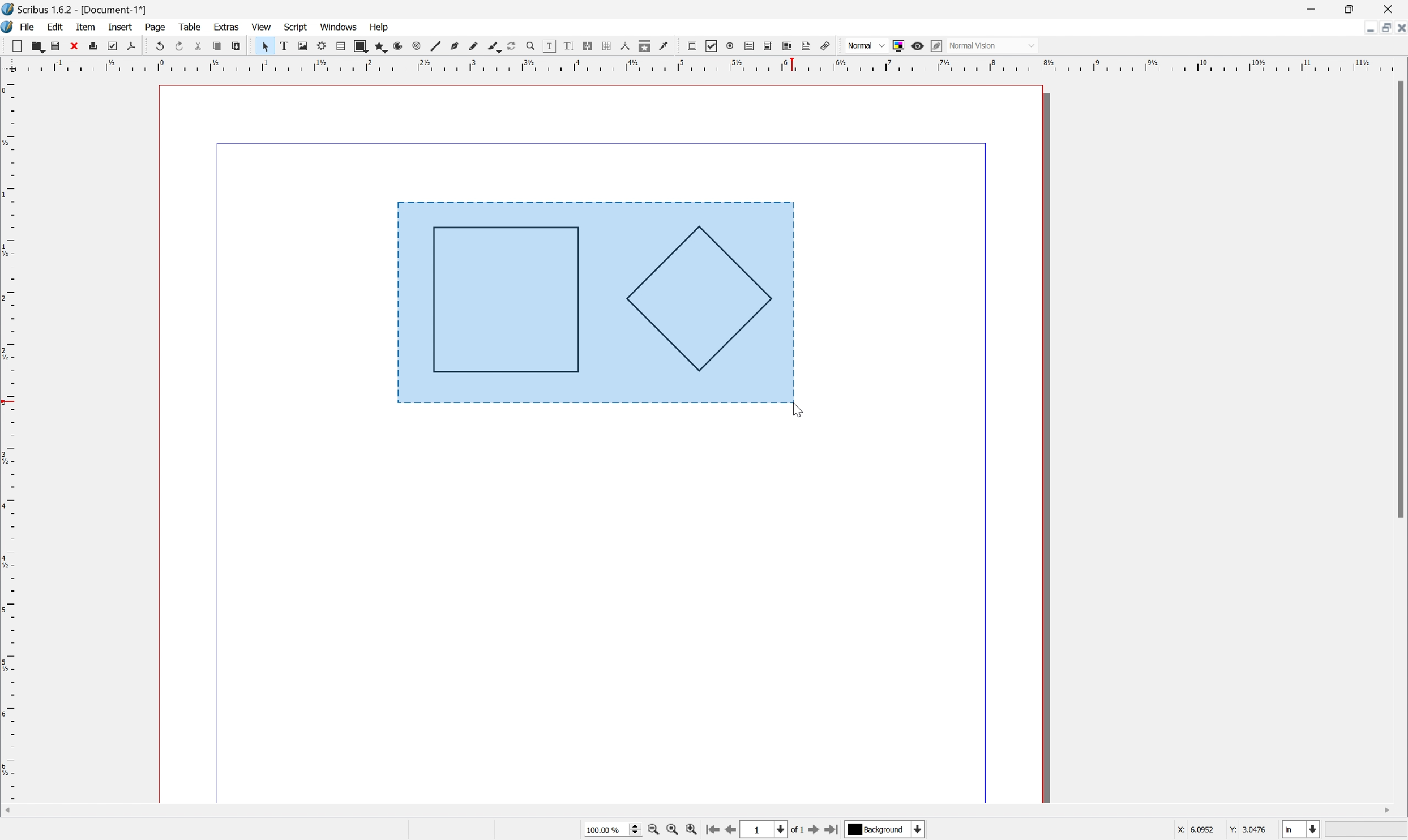  Describe the element at coordinates (1221, 828) in the screenshot. I see `coordinates` at that location.